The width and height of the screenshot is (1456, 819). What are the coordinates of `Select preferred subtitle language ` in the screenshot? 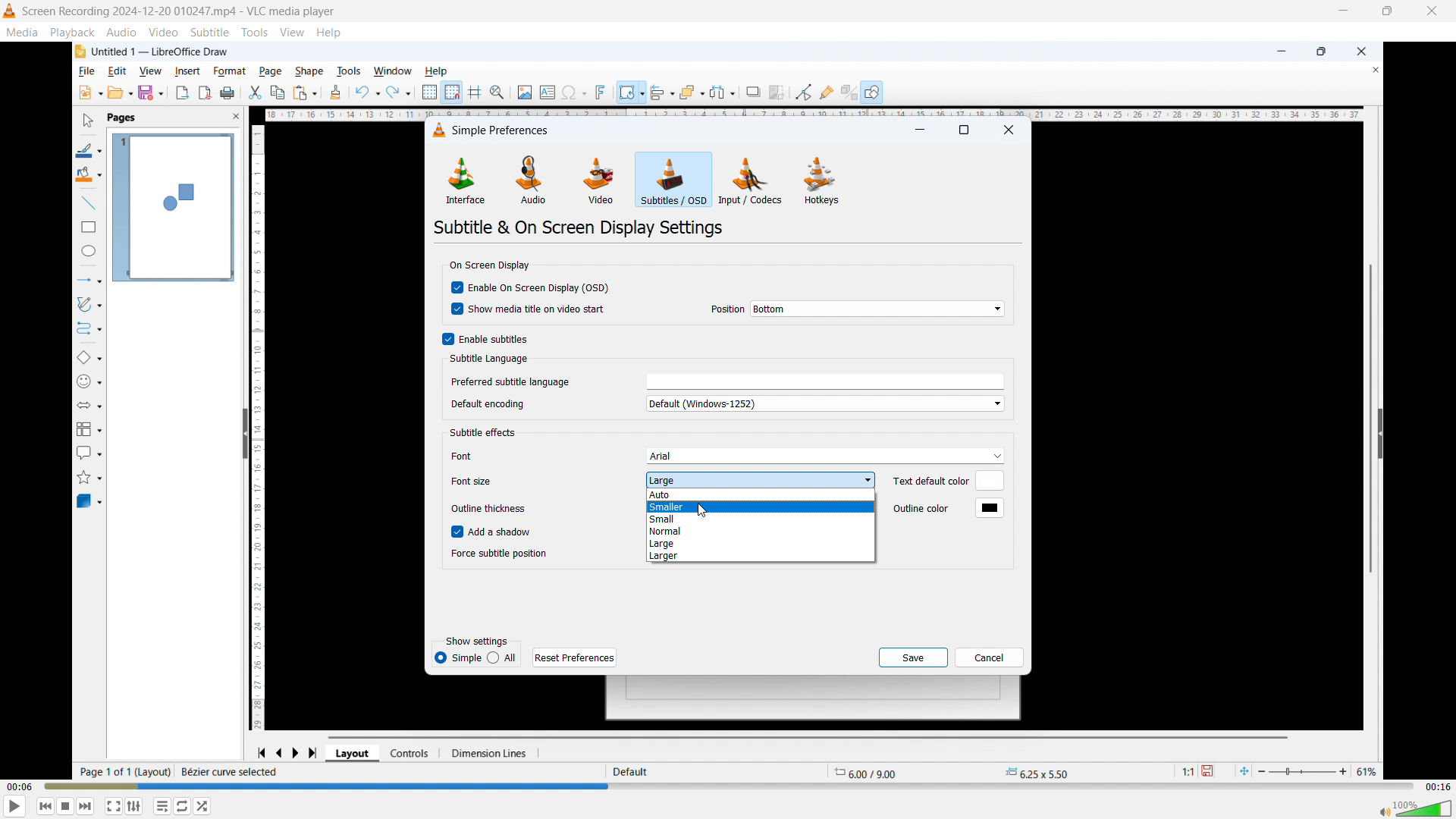 It's located at (825, 381).